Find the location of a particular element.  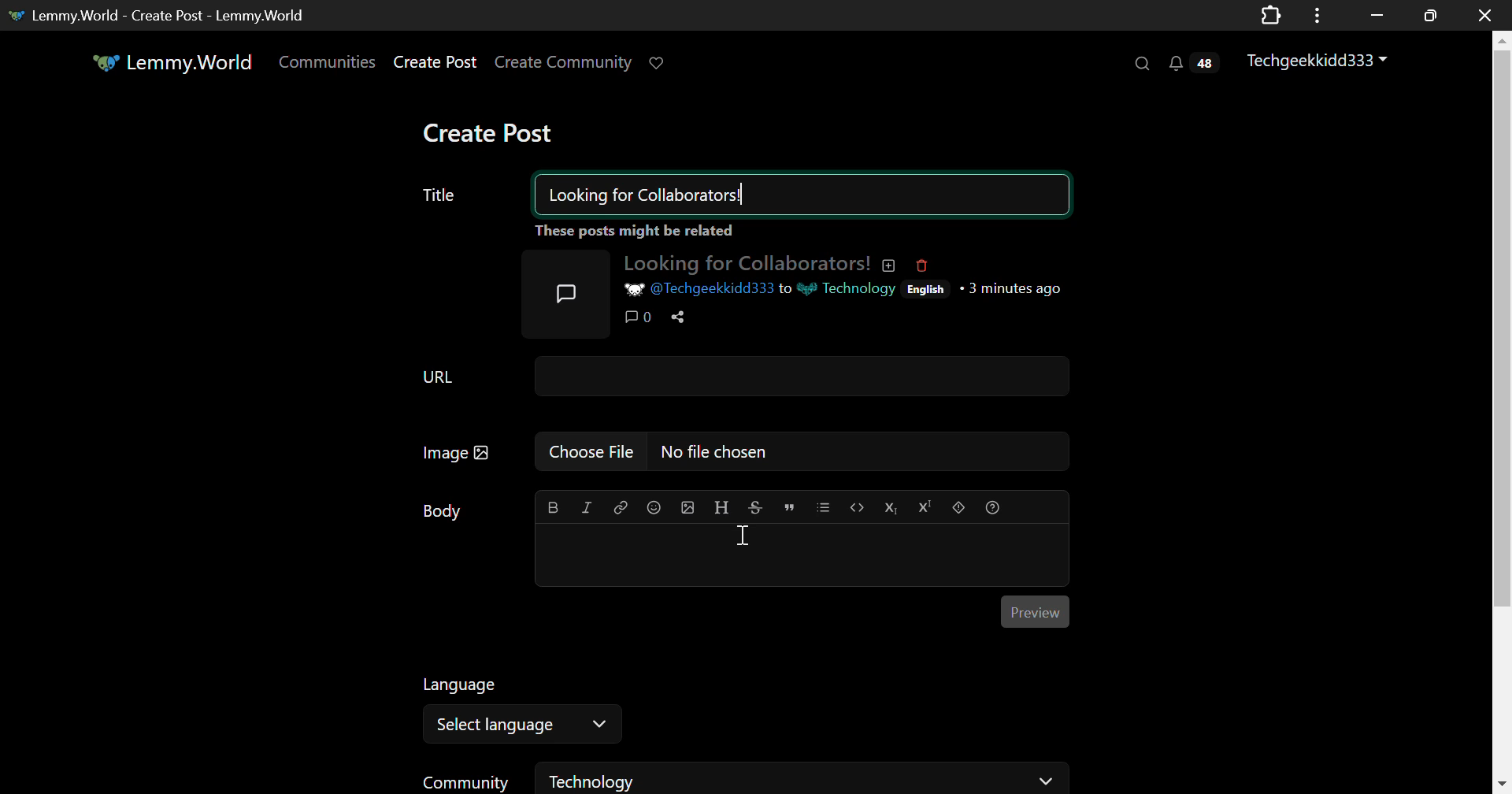

spoiler is located at coordinates (958, 506).